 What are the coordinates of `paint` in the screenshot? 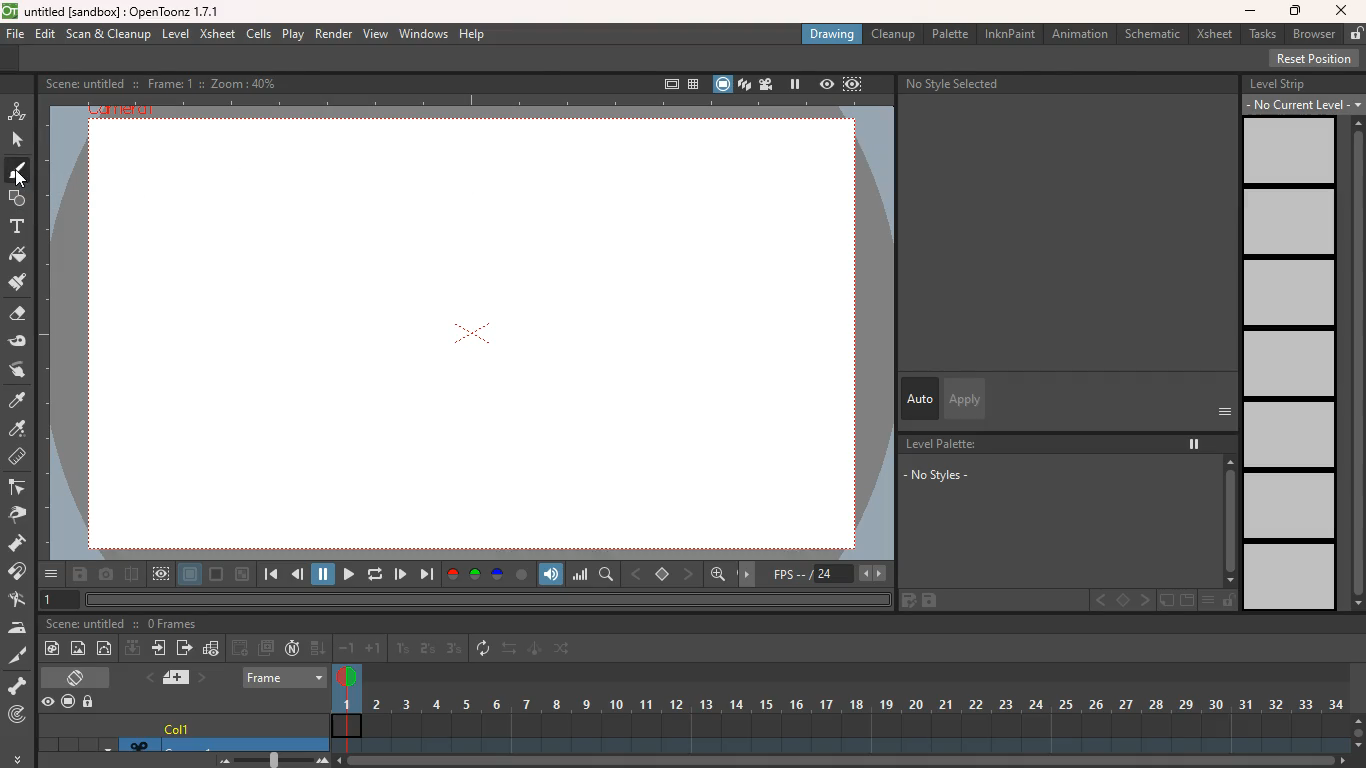 It's located at (20, 257).